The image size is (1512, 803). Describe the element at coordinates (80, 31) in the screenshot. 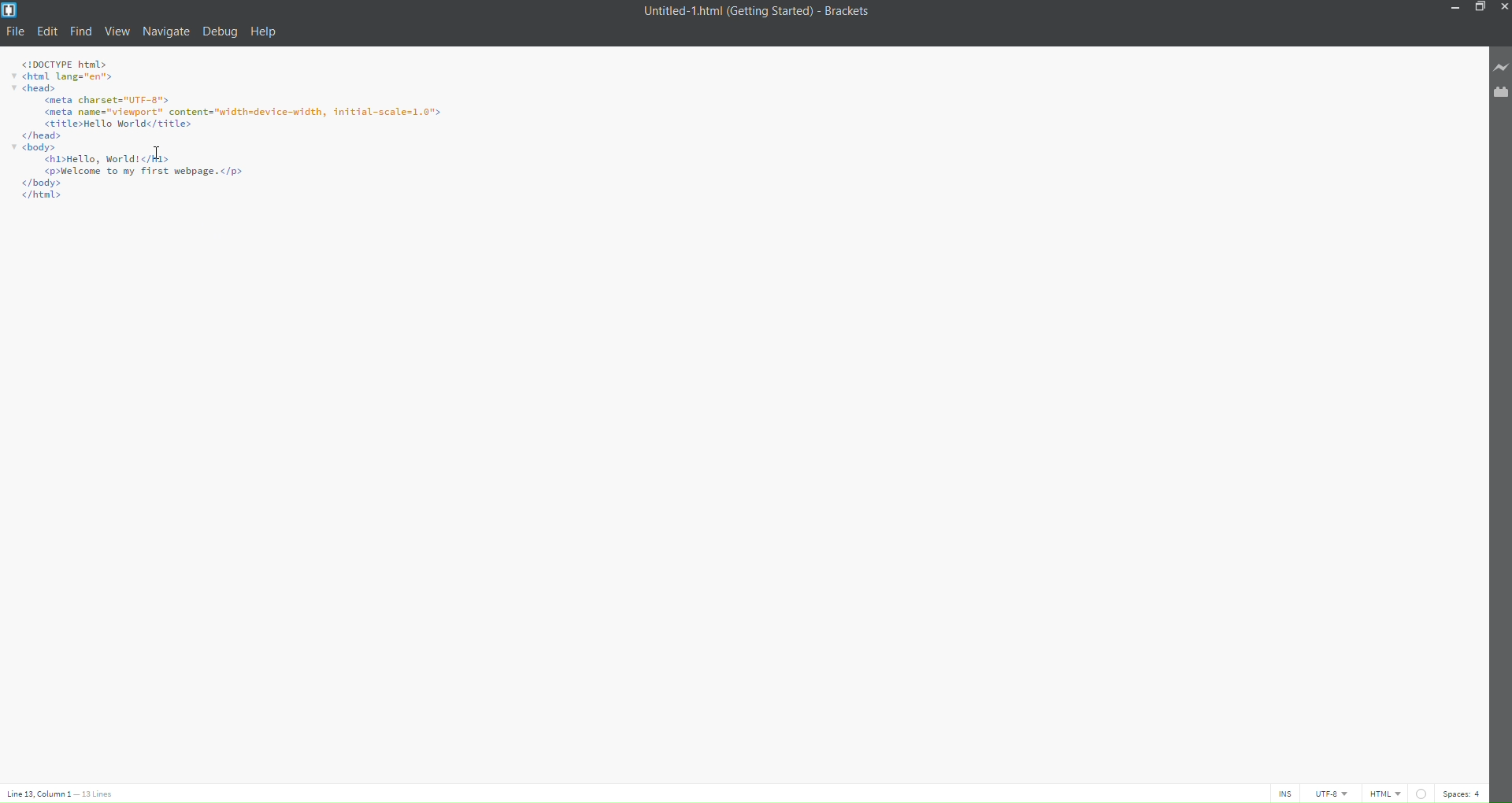

I see `find` at that location.